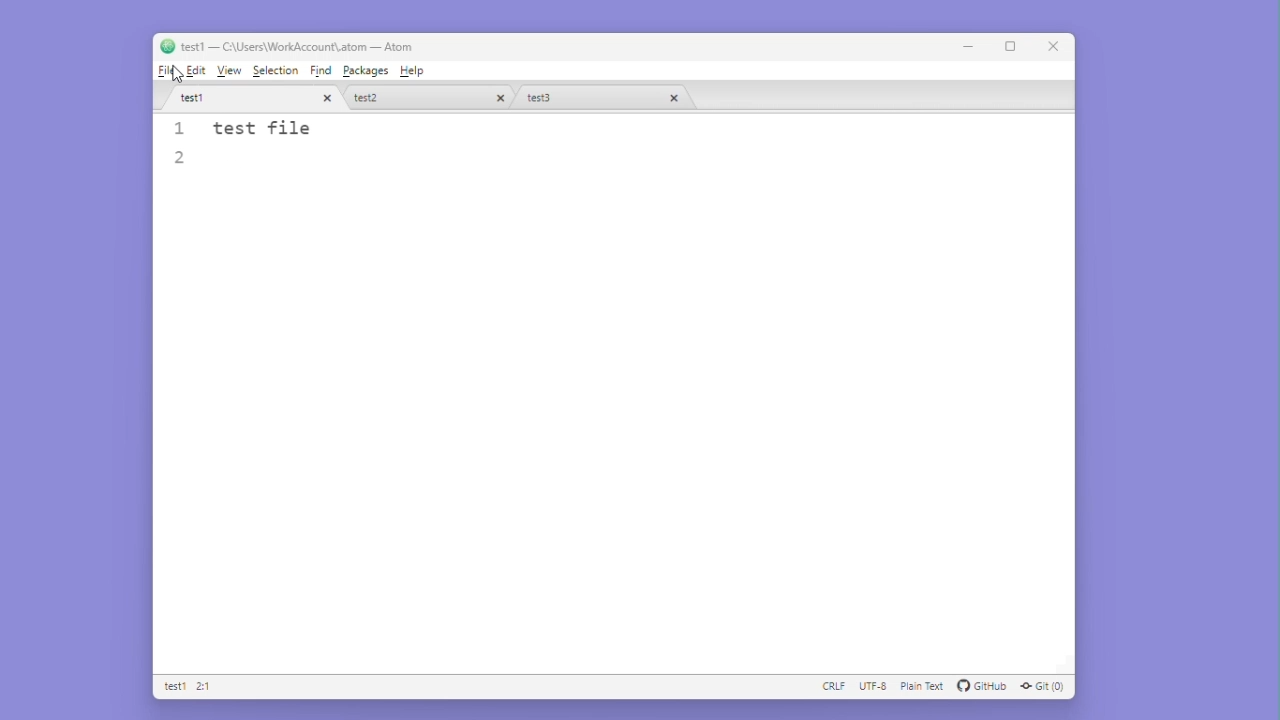 The width and height of the screenshot is (1280, 720). What do you see at coordinates (326, 97) in the screenshot?
I see `close` at bounding box center [326, 97].